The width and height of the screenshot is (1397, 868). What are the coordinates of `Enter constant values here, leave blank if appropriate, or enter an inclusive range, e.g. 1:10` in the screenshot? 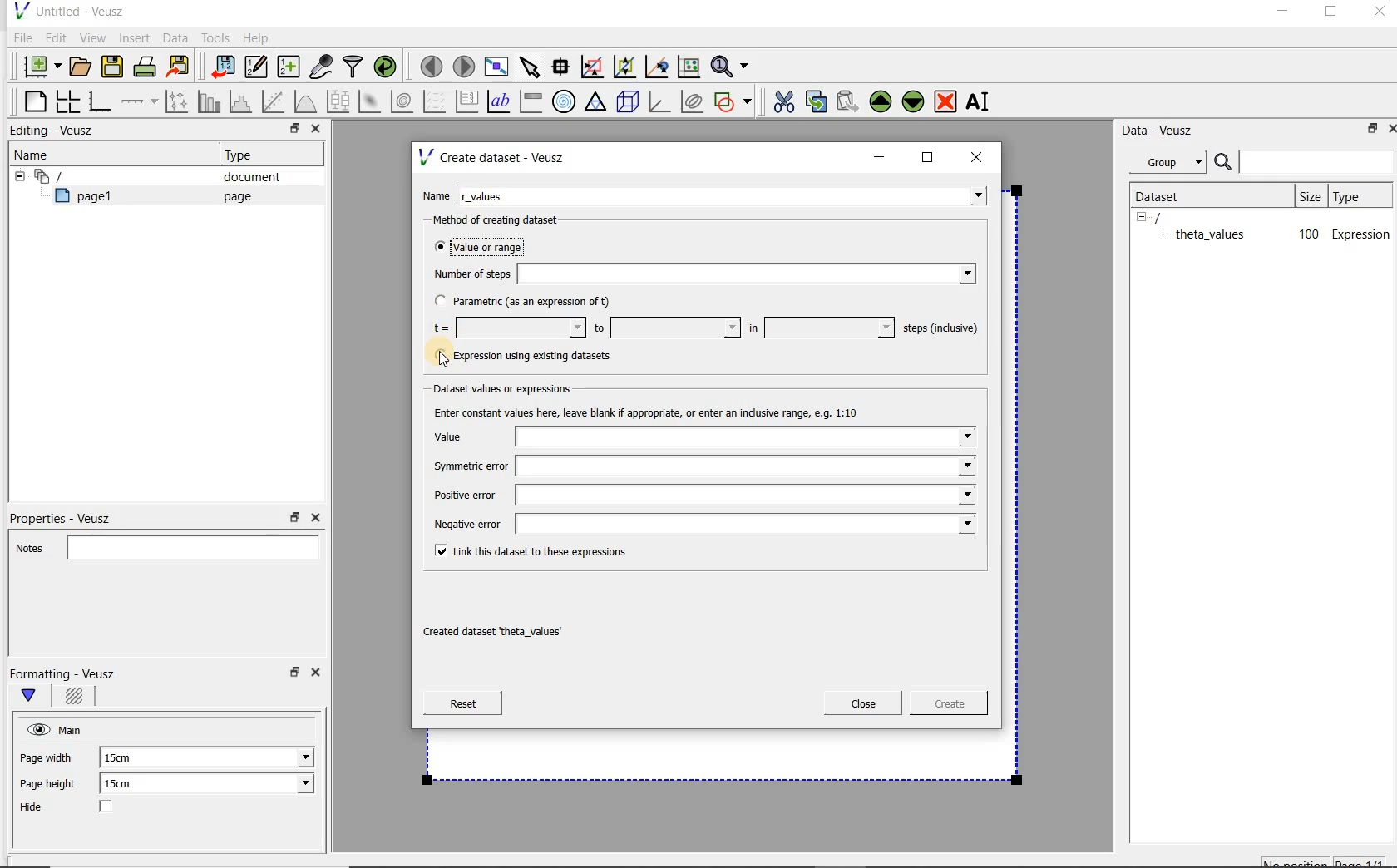 It's located at (662, 412).